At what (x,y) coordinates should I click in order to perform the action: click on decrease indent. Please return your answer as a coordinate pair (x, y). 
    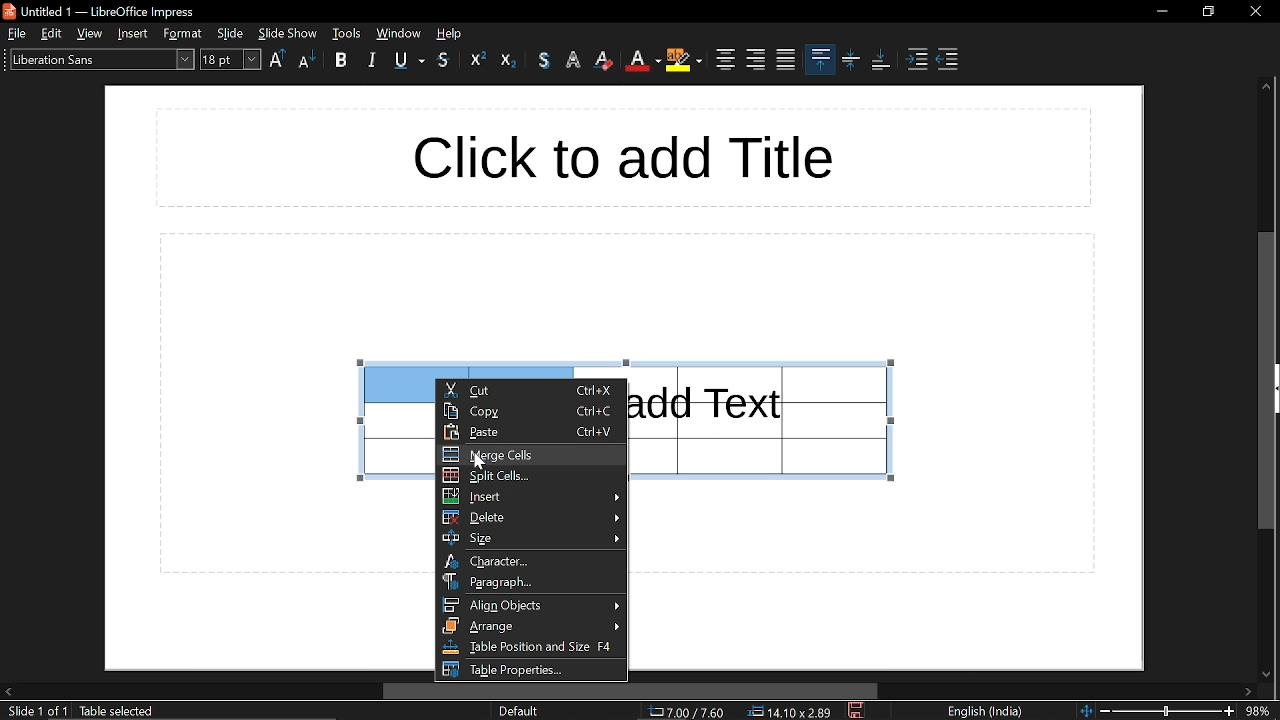
    Looking at the image, I should click on (946, 61).